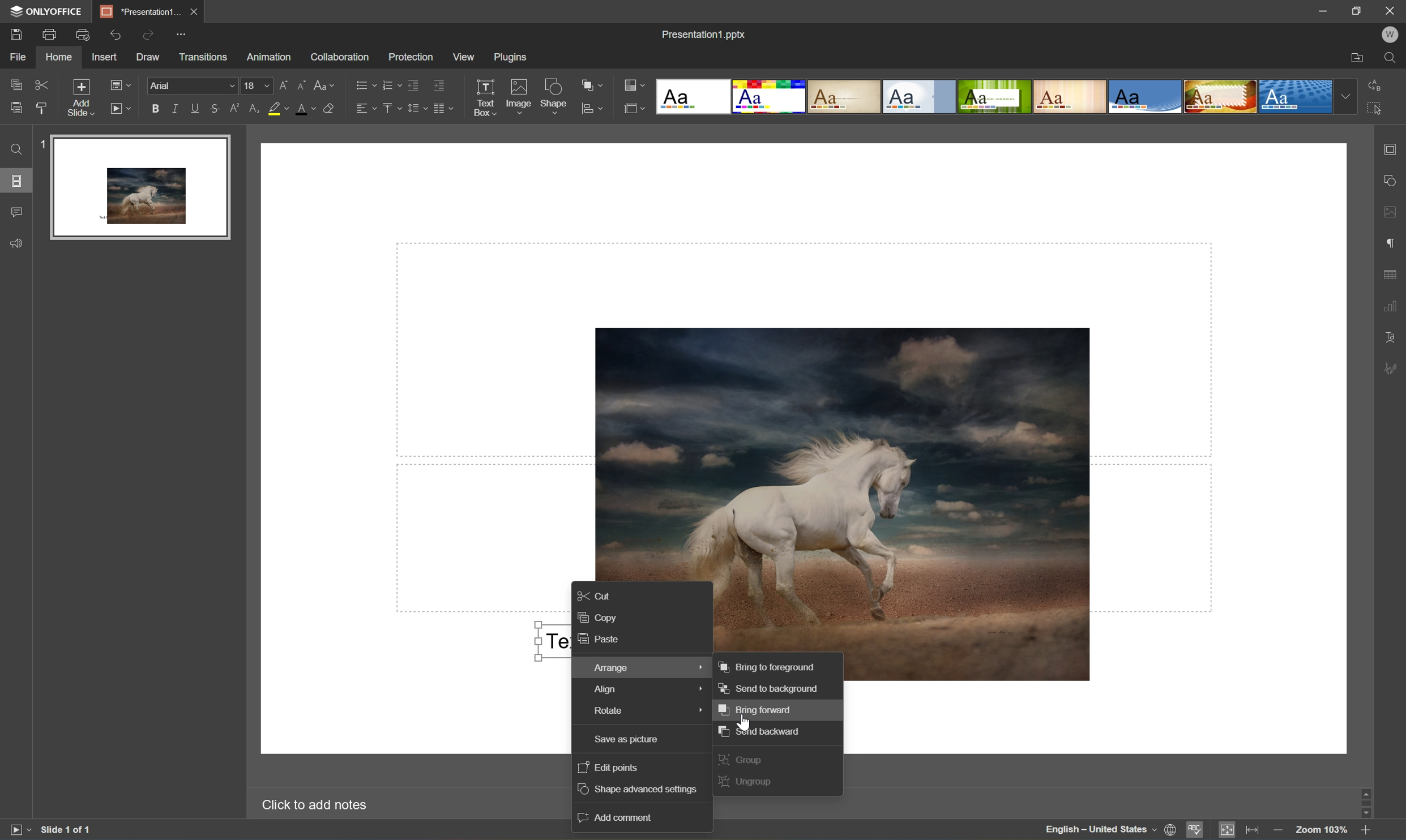  I want to click on Minimize, so click(1315, 10).